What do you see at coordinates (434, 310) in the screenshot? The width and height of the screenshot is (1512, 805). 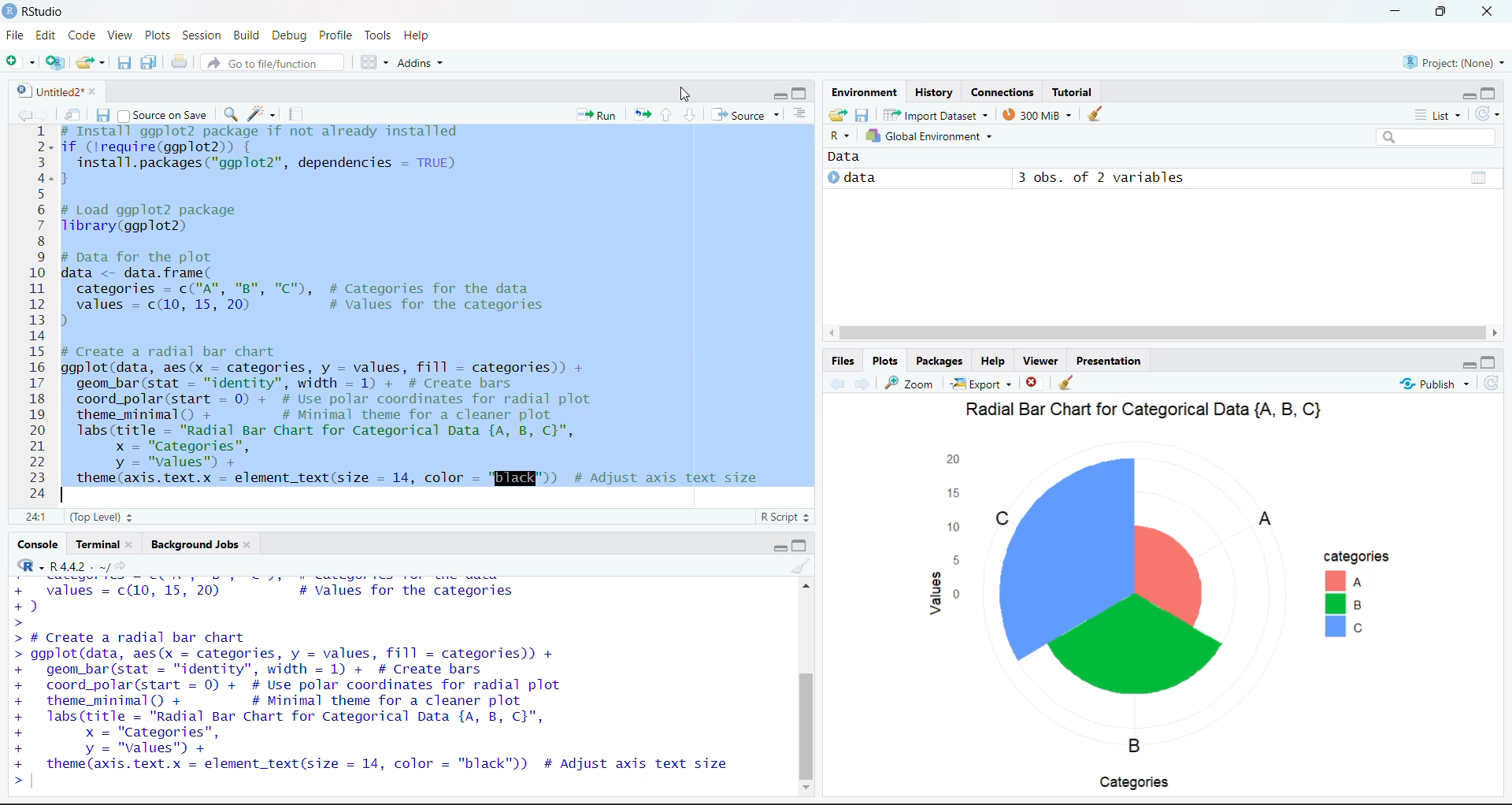 I see `install ggp to 2 package if not already installed if (lrequire(ggplot2)) {install.packages("ggplot2", dependencies = TRUE)}# Load ggplot2 packageTibrary(ggplot2)# Data for the plot Idata <- data.frame(categories = c("A", "B", "C"), # Categories for the datavalues = c(10, 15, 20) # values for the categories)# Create a radial bar chartggplot(data, aes(x = categories, y = values, fill = categories)) +geom_bar(stat = "identity", width = 1) + # Create barscoord_polar(start = 0) + # Use polar coordinates for radial plottheme_minimal() + # Minimal theme for a cleaner plotlabs(title = "Radial Bar Chart for Categorical Data {A, B, C}",x = "Categories",y = "values" +~ theme(axis.text.x = element_text(size = 14, color = 'BIENER)) 4 Adjust axis text size` at bounding box center [434, 310].